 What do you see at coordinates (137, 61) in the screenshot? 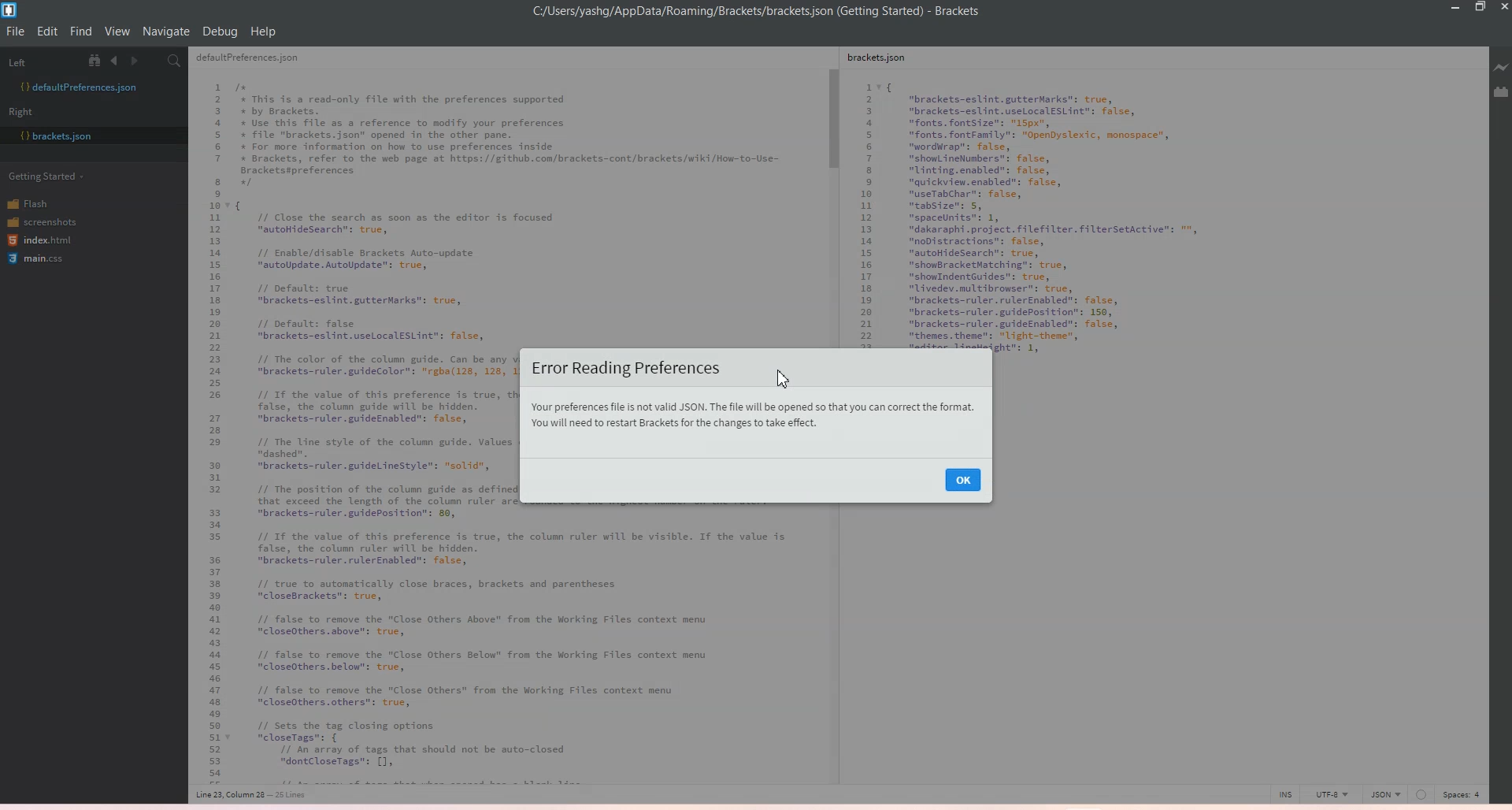
I see `Navigate Forwards` at bounding box center [137, 61].